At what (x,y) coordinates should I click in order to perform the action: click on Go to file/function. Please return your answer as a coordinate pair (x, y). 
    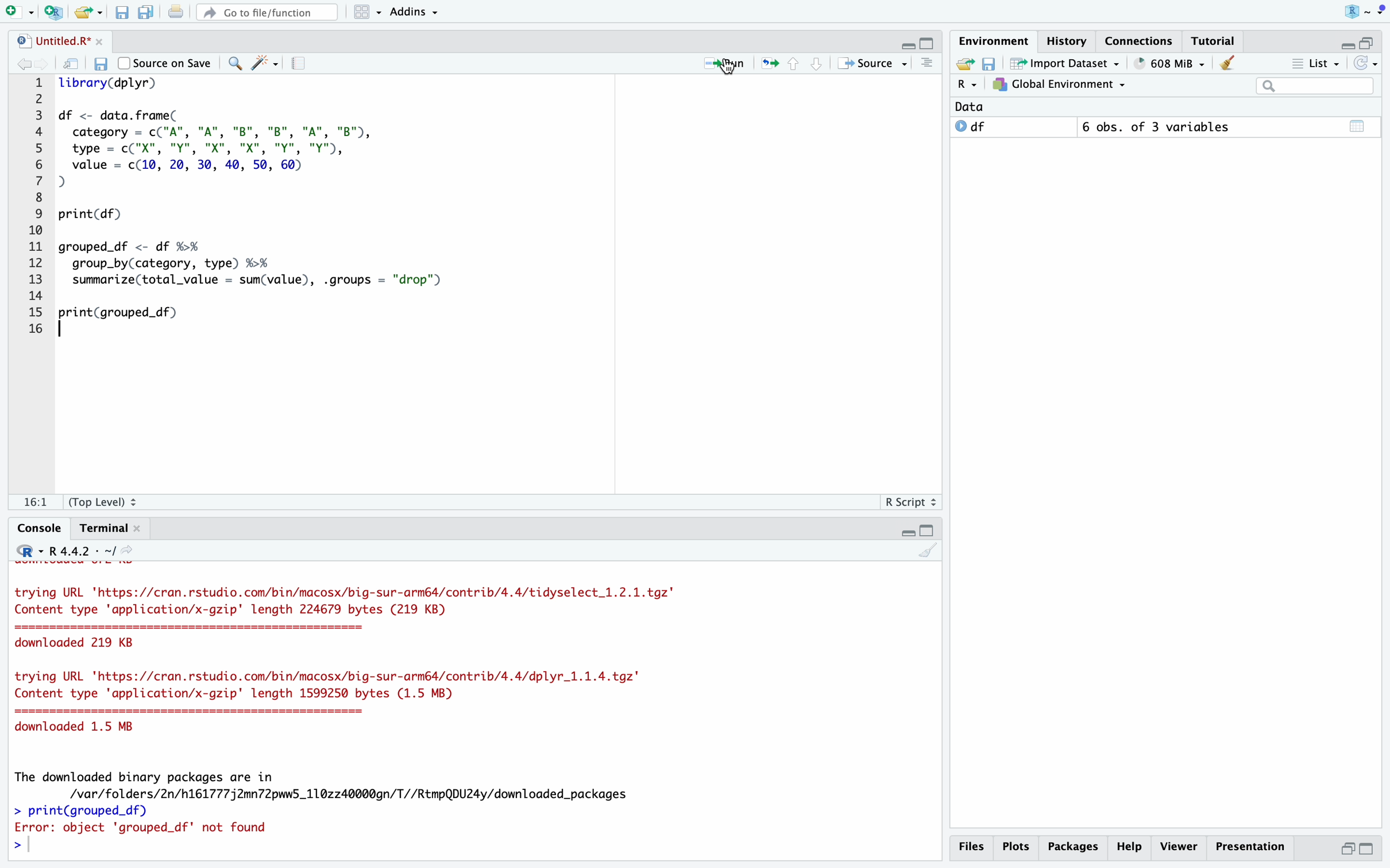
    Looking at the image, I should click on (265, 13).